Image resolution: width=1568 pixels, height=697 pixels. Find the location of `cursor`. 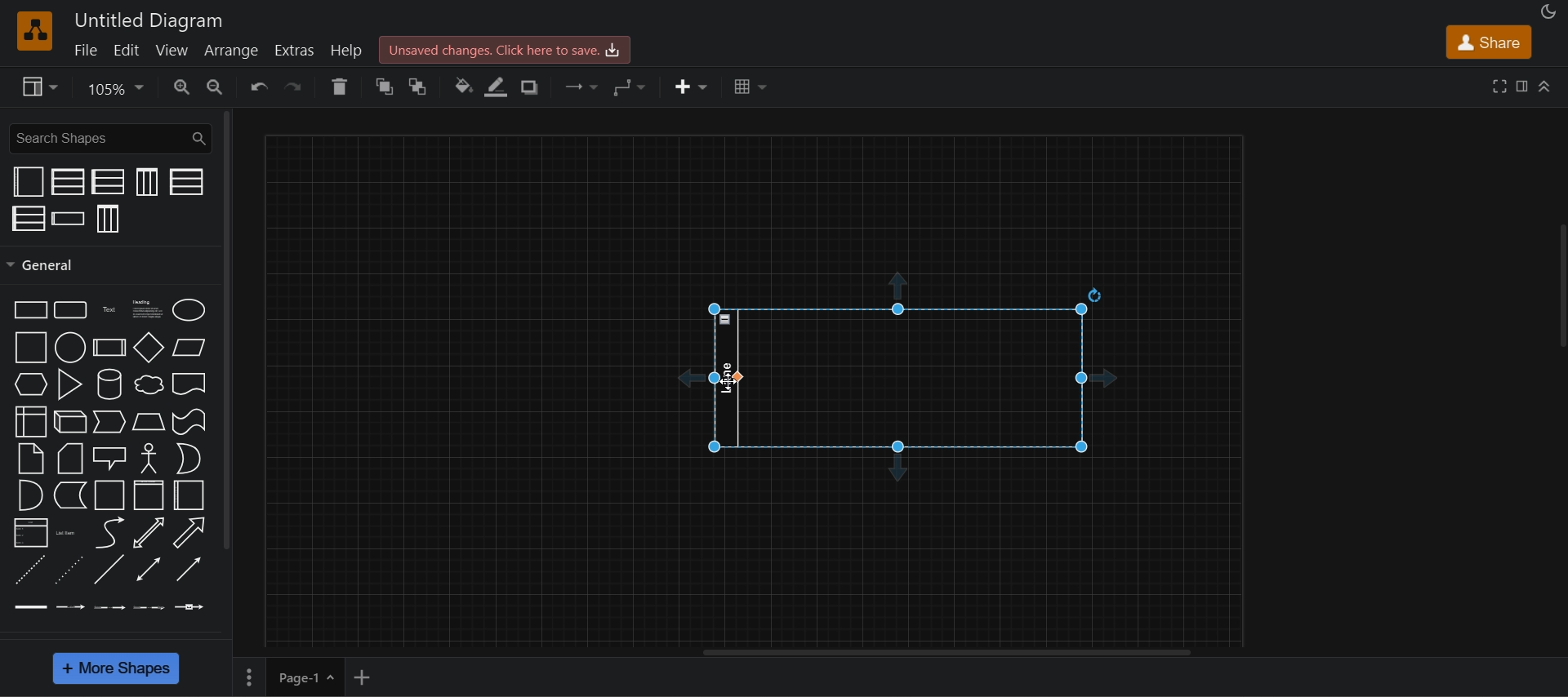

cursor is located at coordinates (729, 381).